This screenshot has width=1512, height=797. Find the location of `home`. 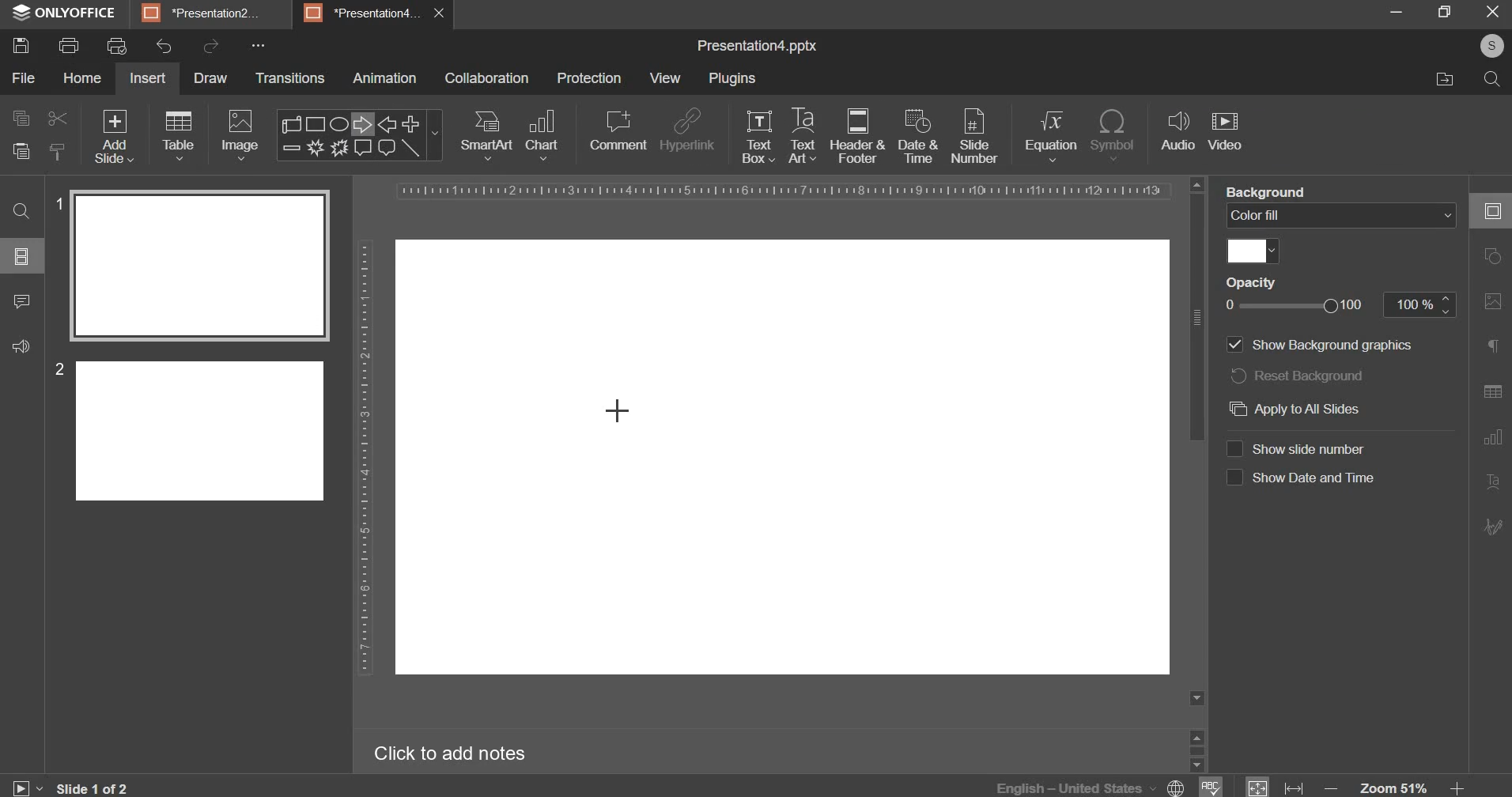

home is located at coordinates (82, 78).